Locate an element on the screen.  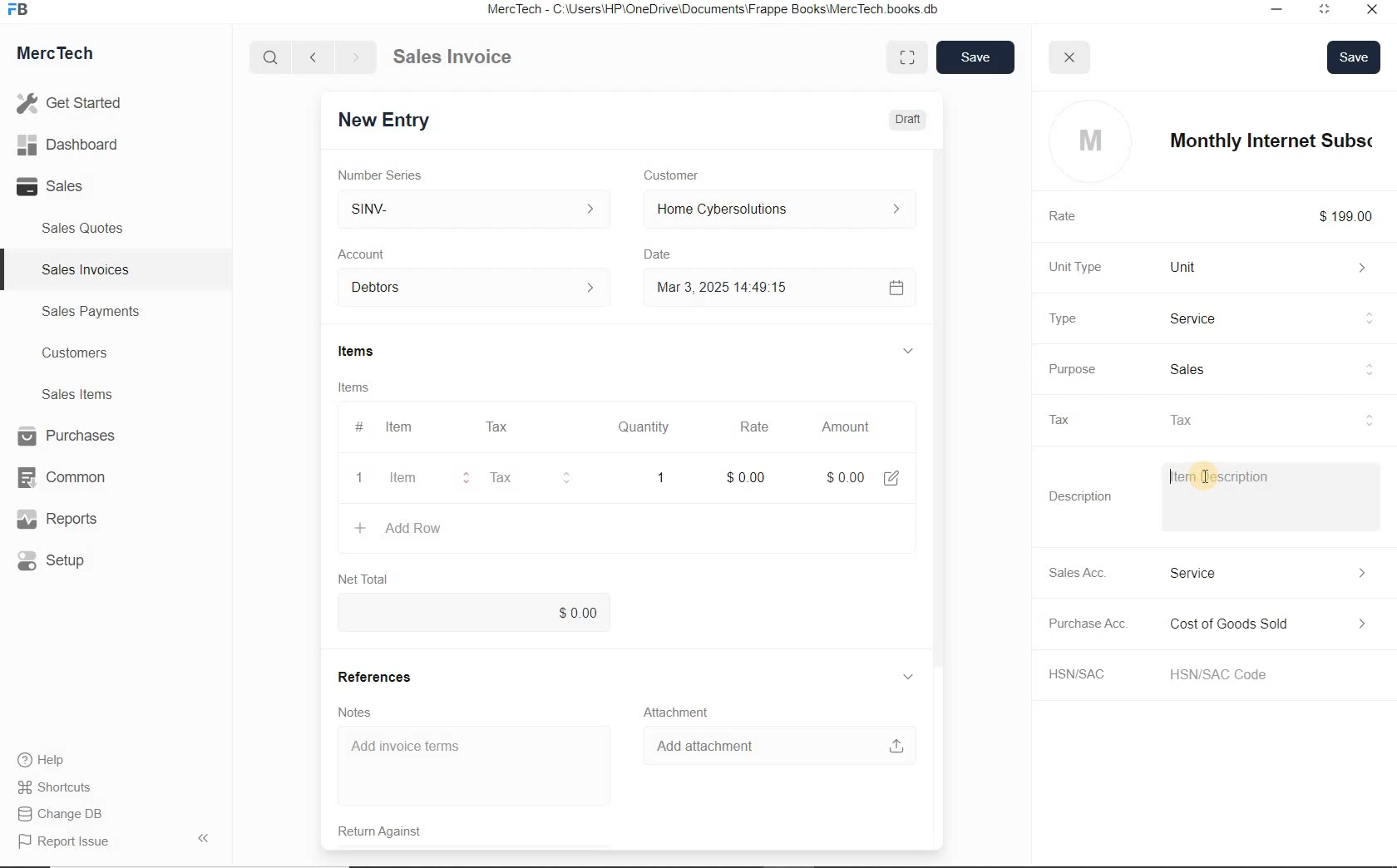
Purchase Acc. is located at coordinates (1081, 625).